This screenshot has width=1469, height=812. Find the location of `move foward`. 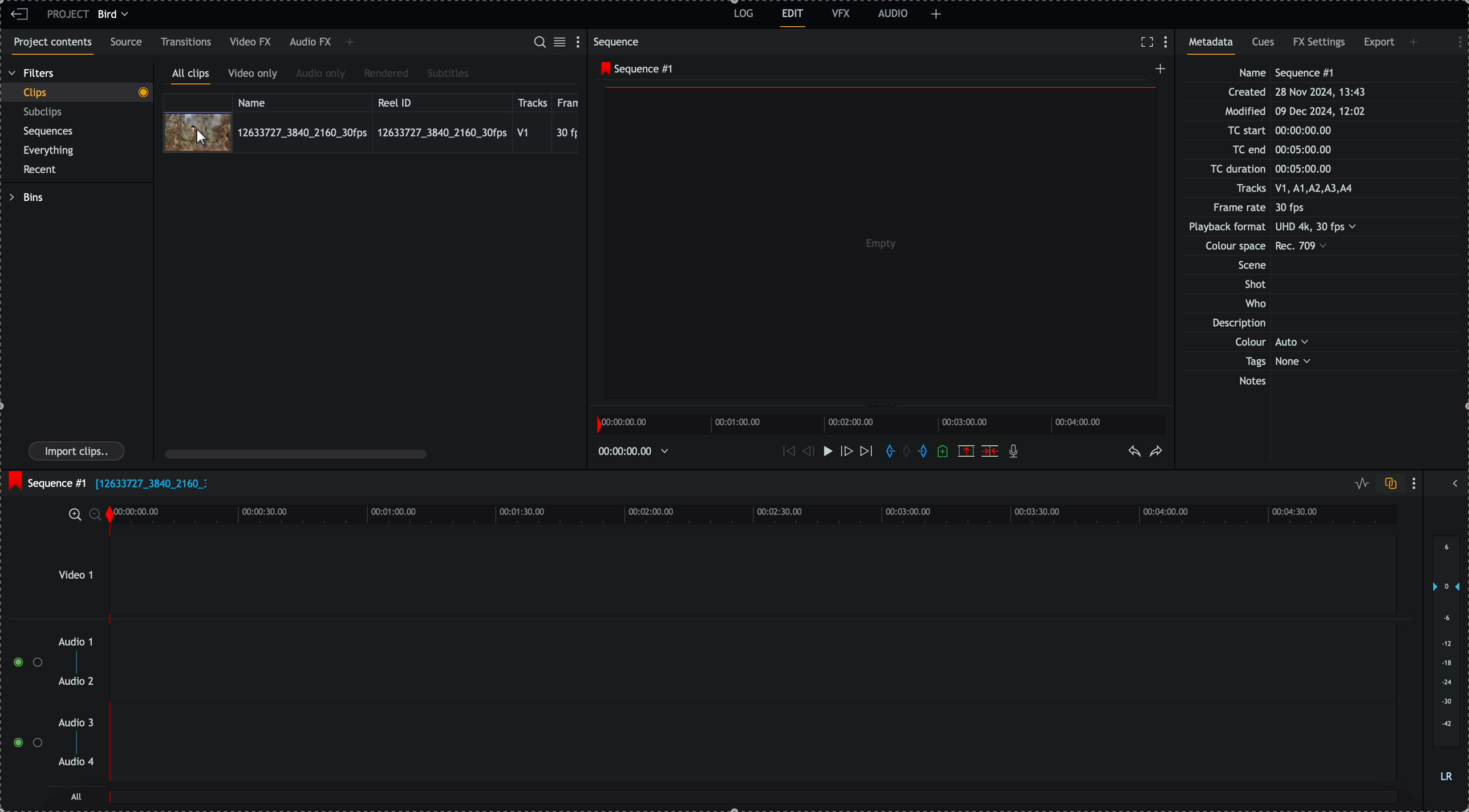

move foward is located at coordinates (866, 453).